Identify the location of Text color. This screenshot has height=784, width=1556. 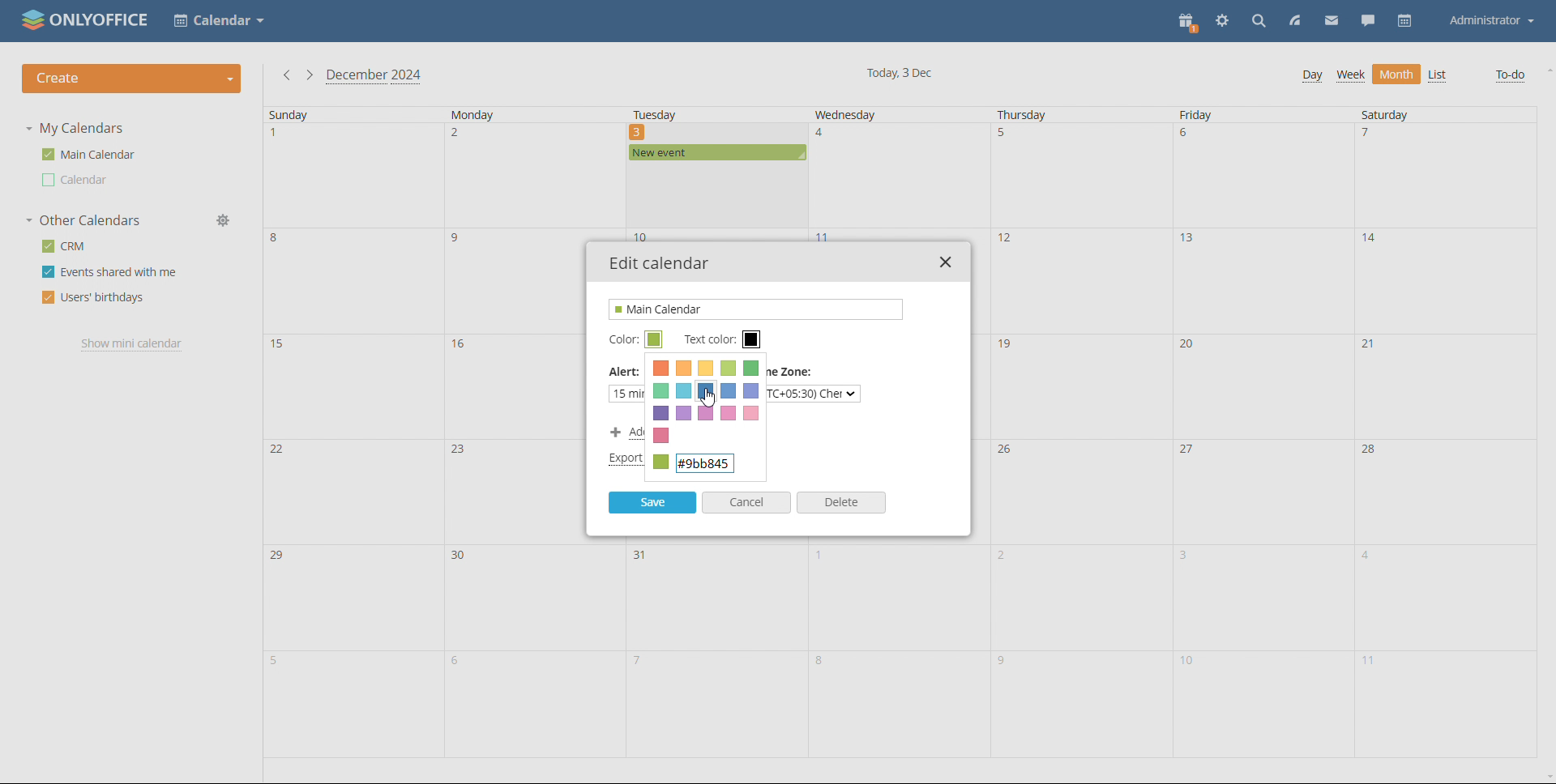
(707, 340).